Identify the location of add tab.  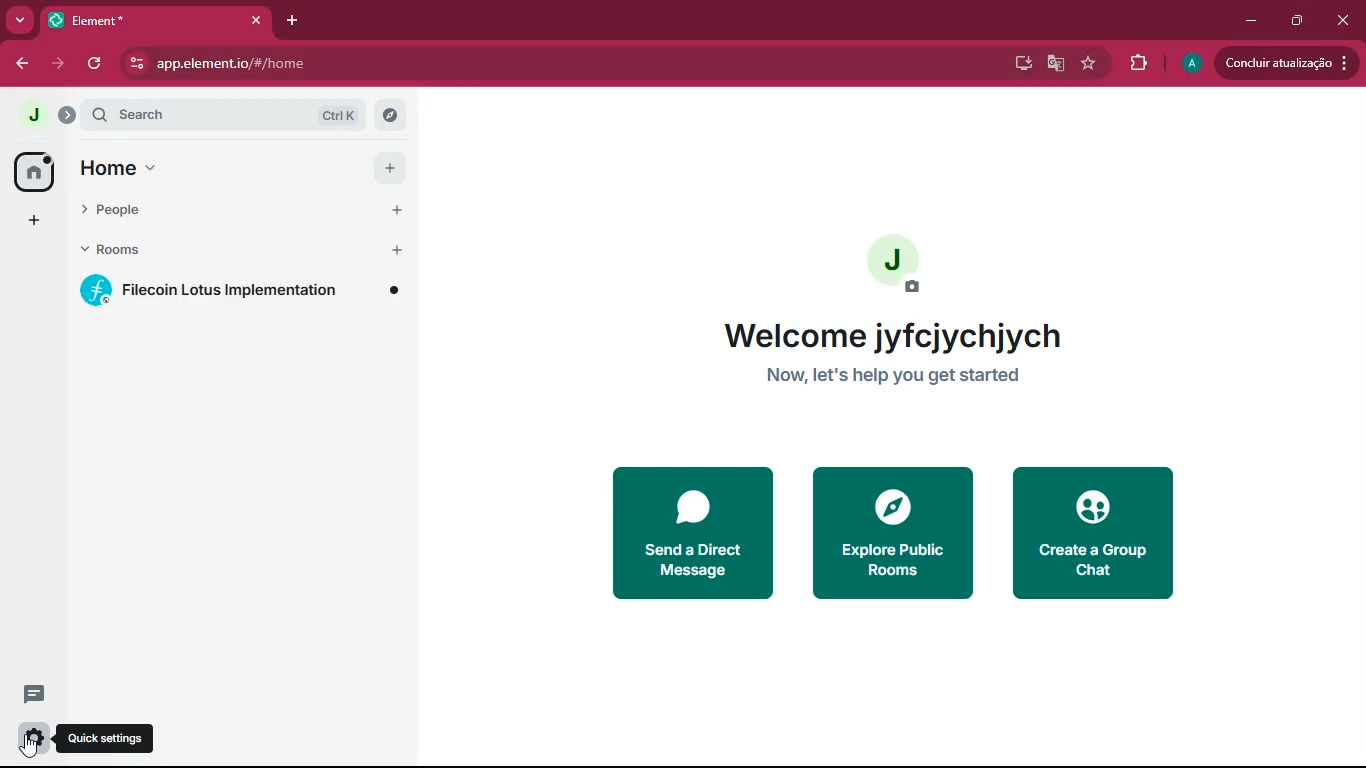
(292, 21).